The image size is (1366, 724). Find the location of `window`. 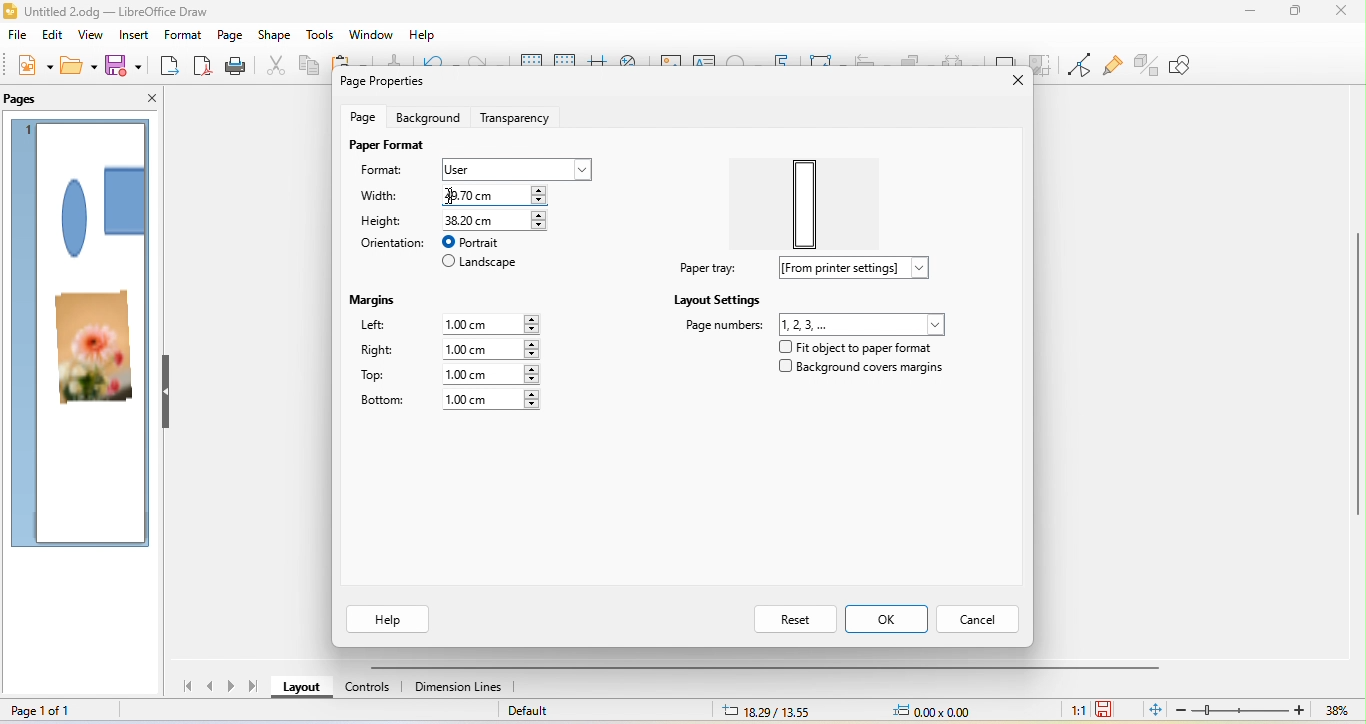

window is located at coordinates (371, 34).